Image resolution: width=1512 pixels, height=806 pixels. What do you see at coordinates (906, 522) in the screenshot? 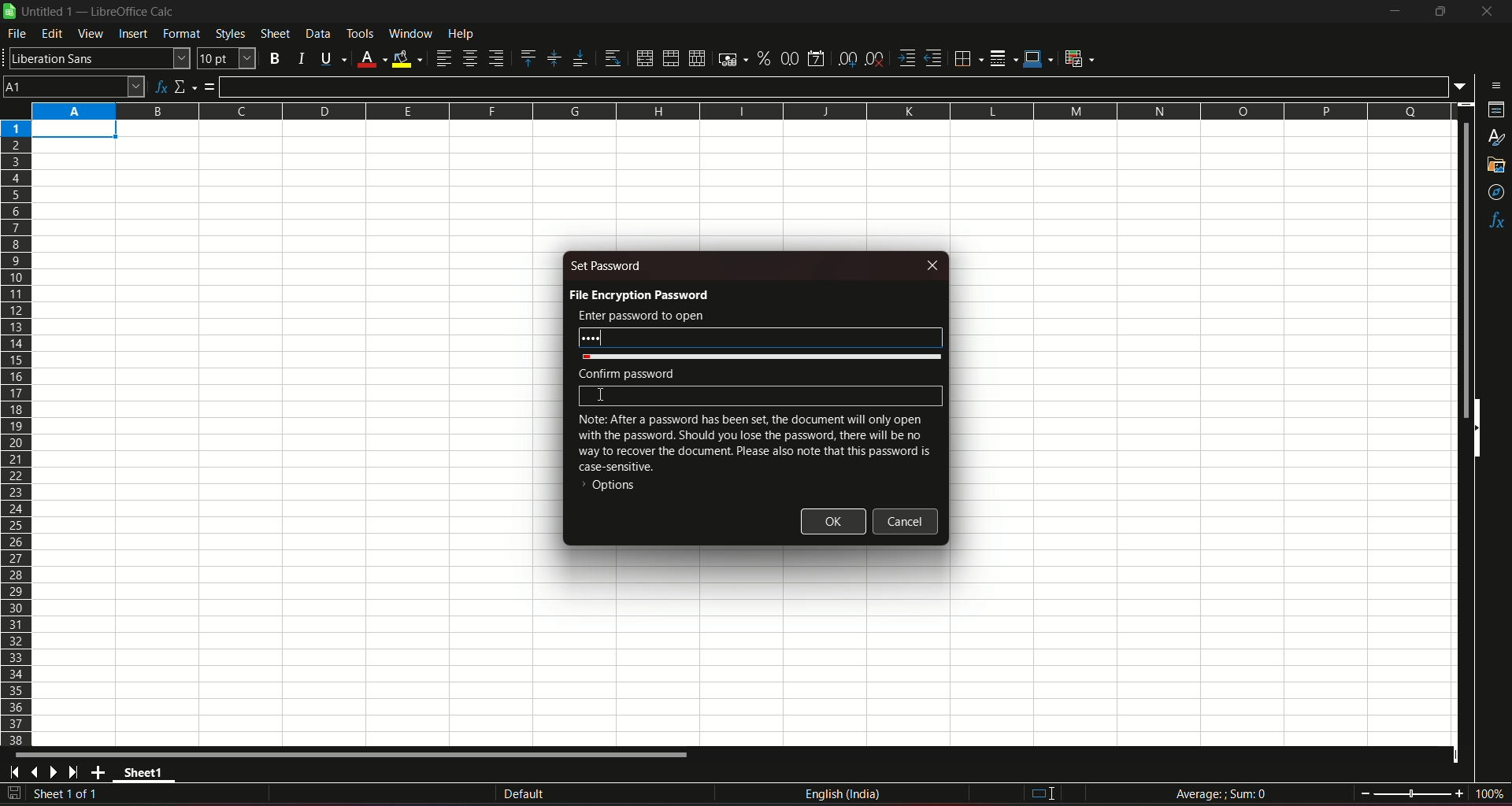
I see `cancel` at bounding box center [906, 522].